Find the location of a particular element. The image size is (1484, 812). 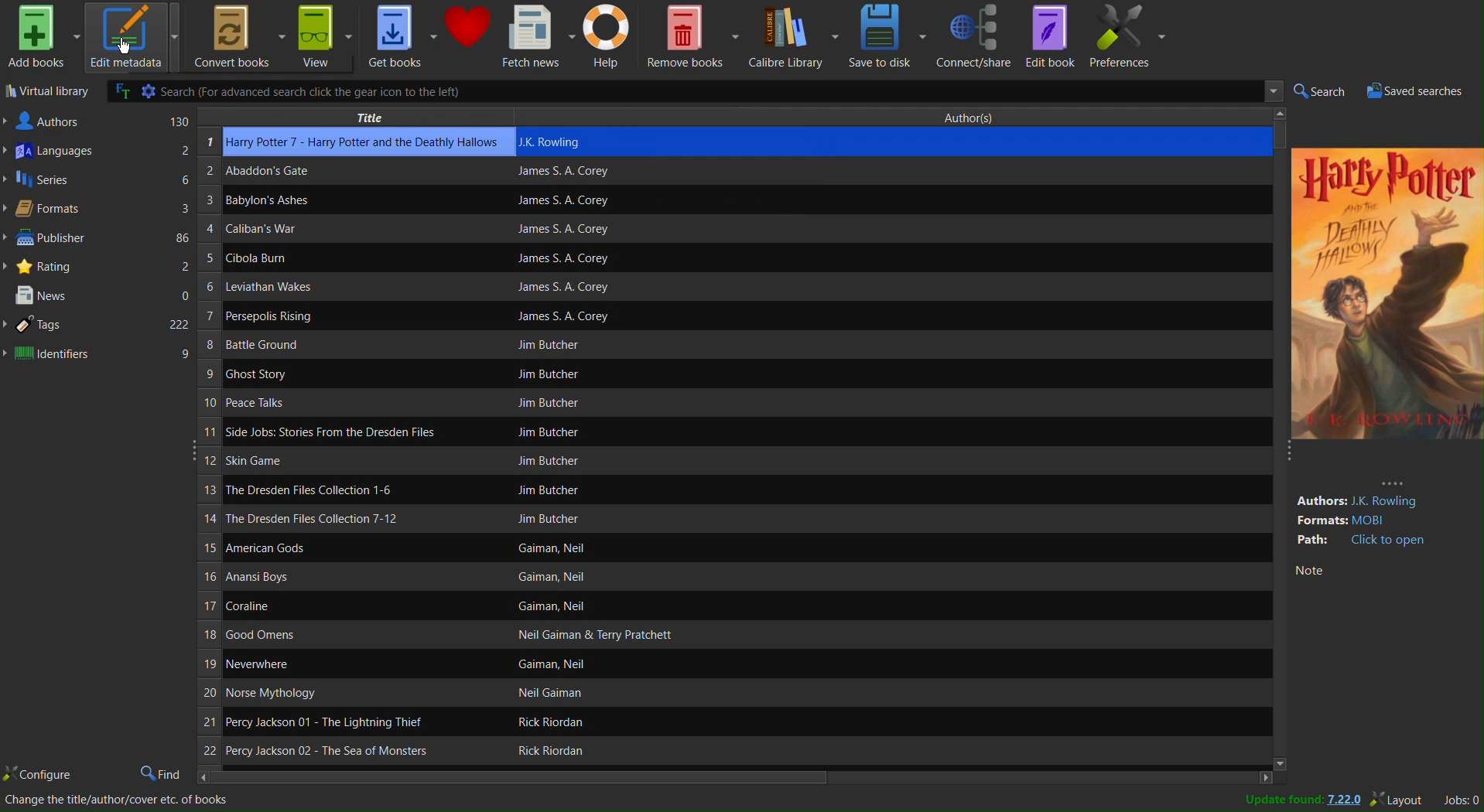

Get books is located at coordinates (402, 36).